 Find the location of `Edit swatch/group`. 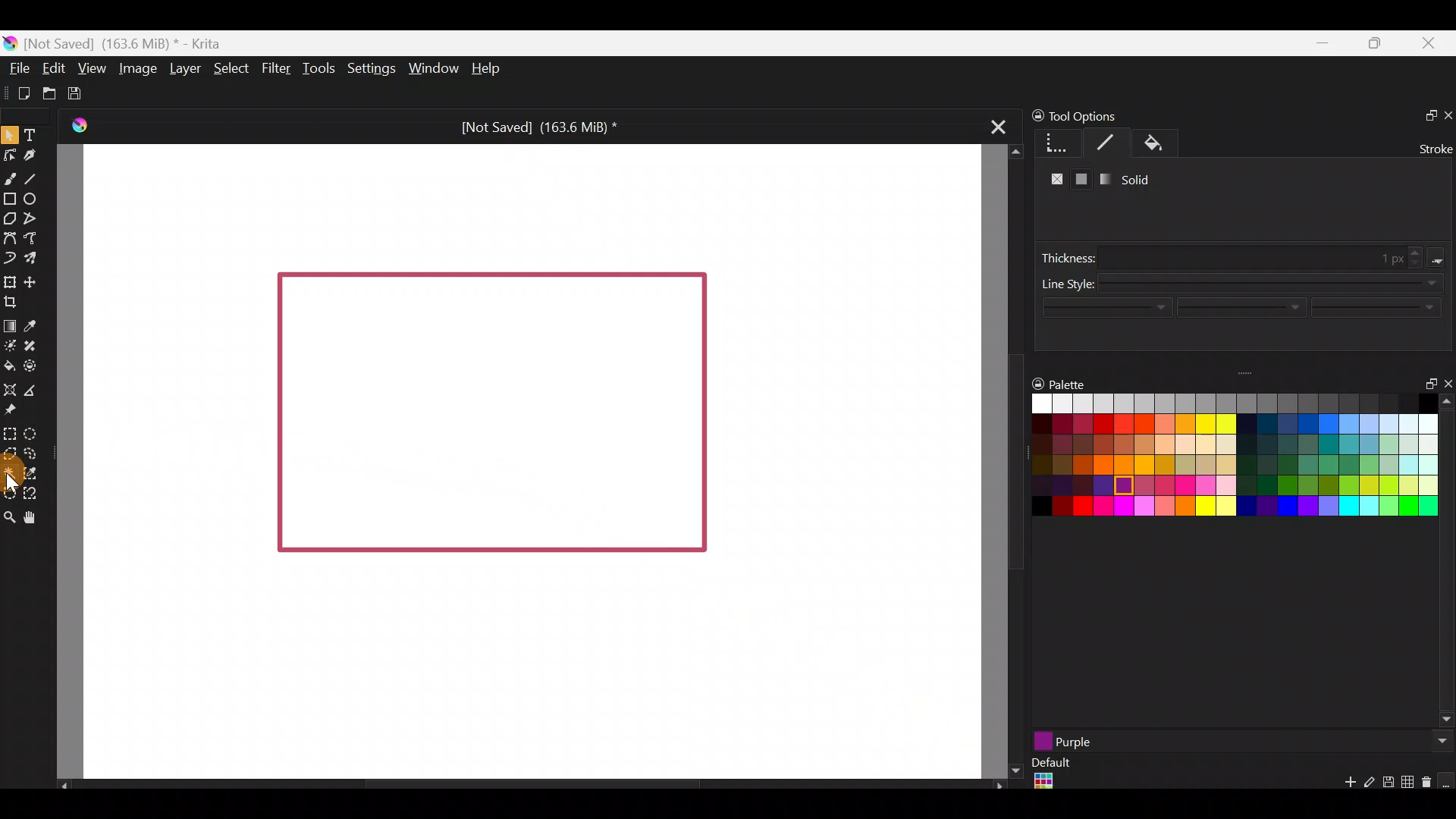

Edit swatch/group is located at coordinates (1370, 786).